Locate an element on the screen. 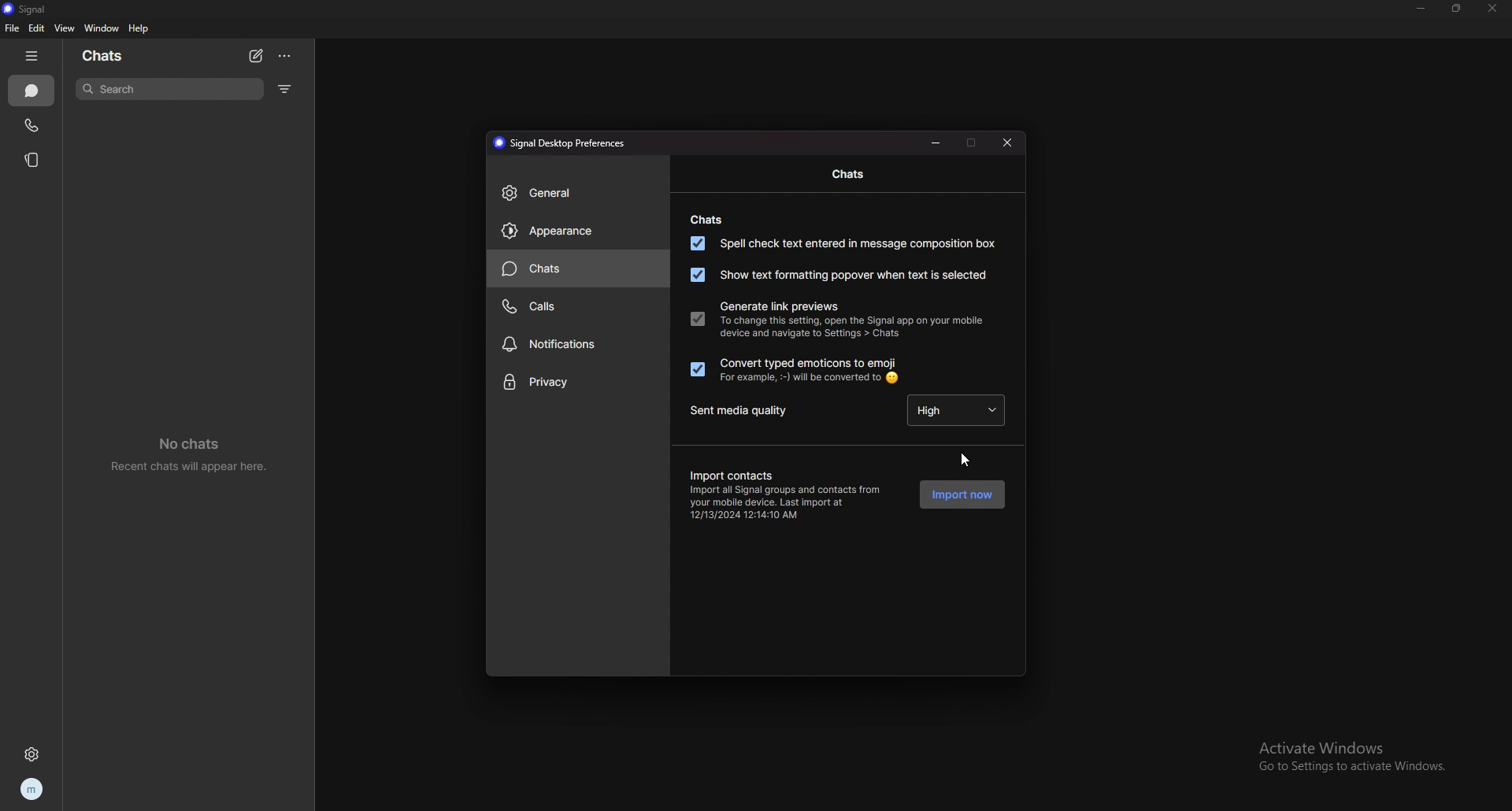 The image size is (1512, 811). maximize is located at coordinates (972, 142).